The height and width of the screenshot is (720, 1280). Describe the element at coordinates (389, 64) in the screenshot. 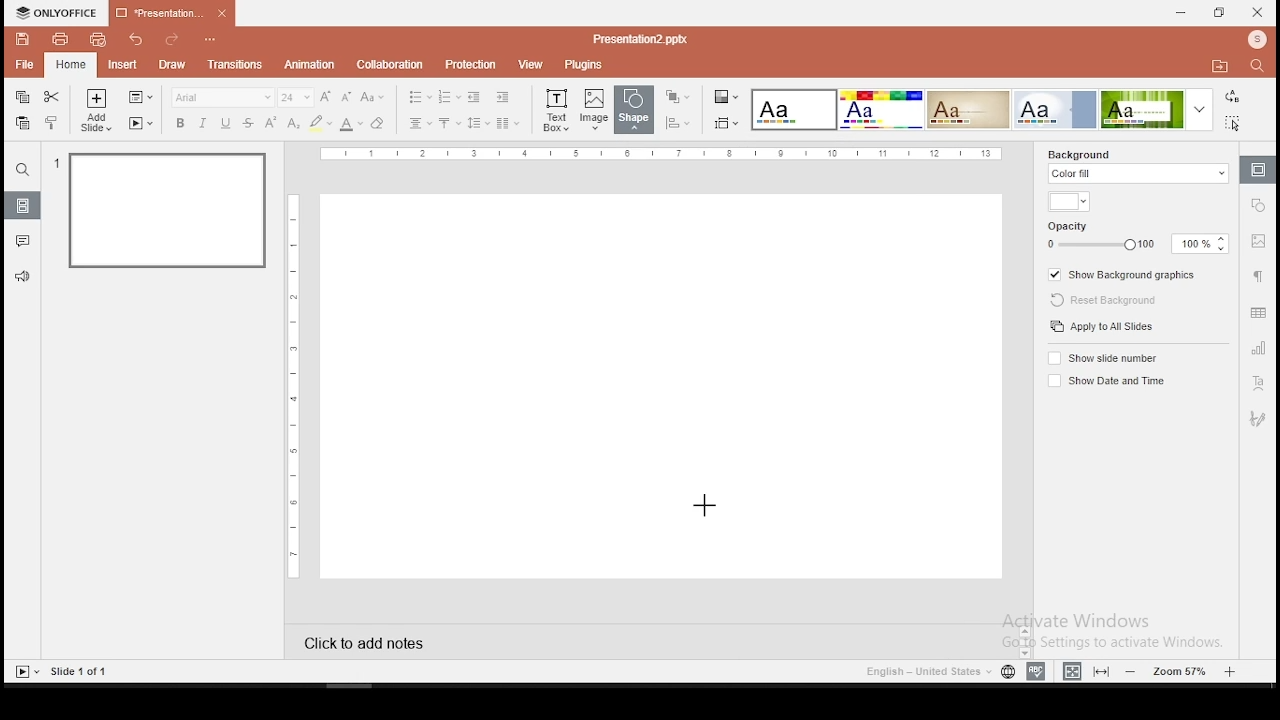

I see `collaboration` at that location.